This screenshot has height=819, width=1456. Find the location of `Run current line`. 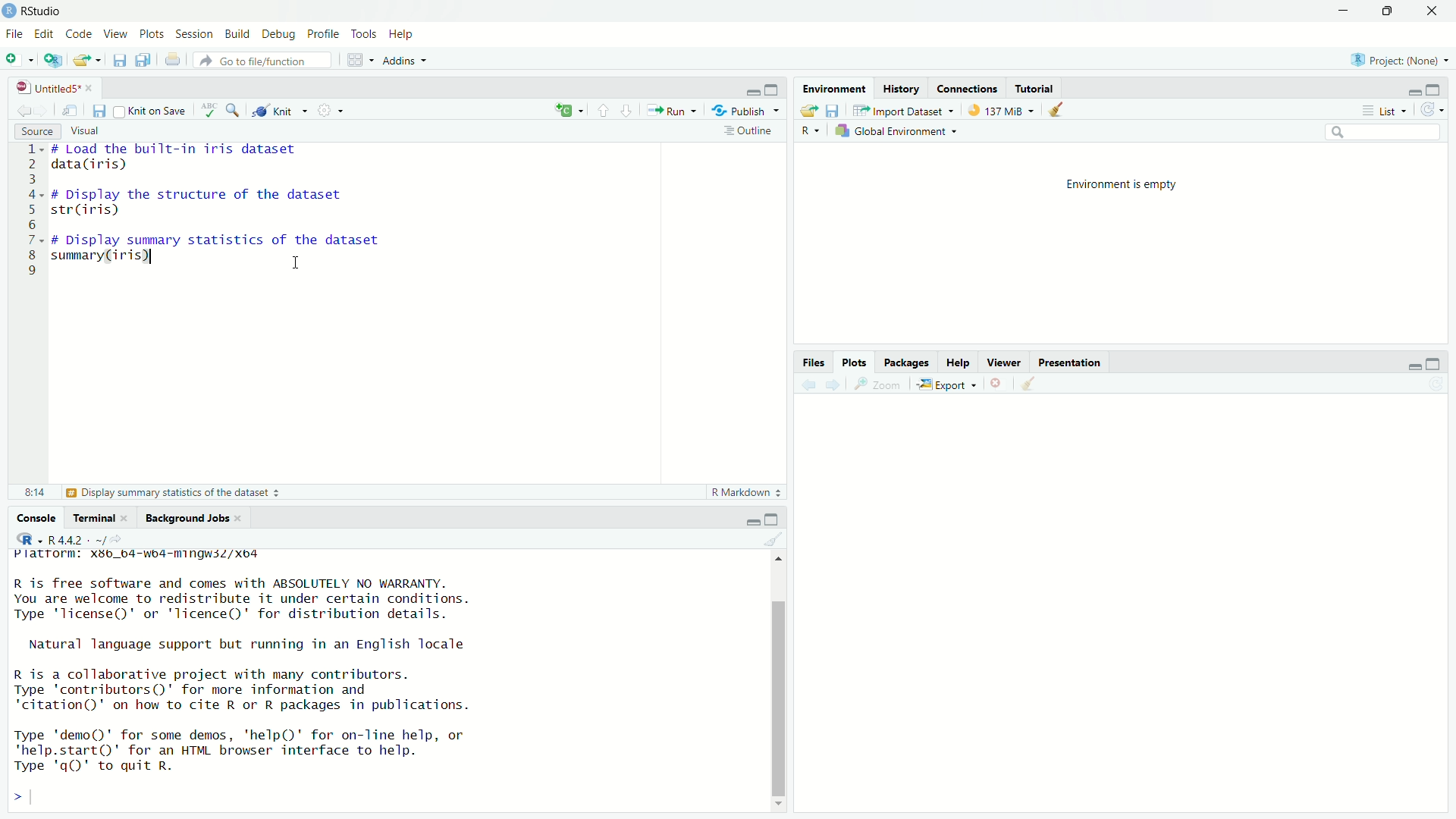

Run current line is located at coordinates (670, 108).